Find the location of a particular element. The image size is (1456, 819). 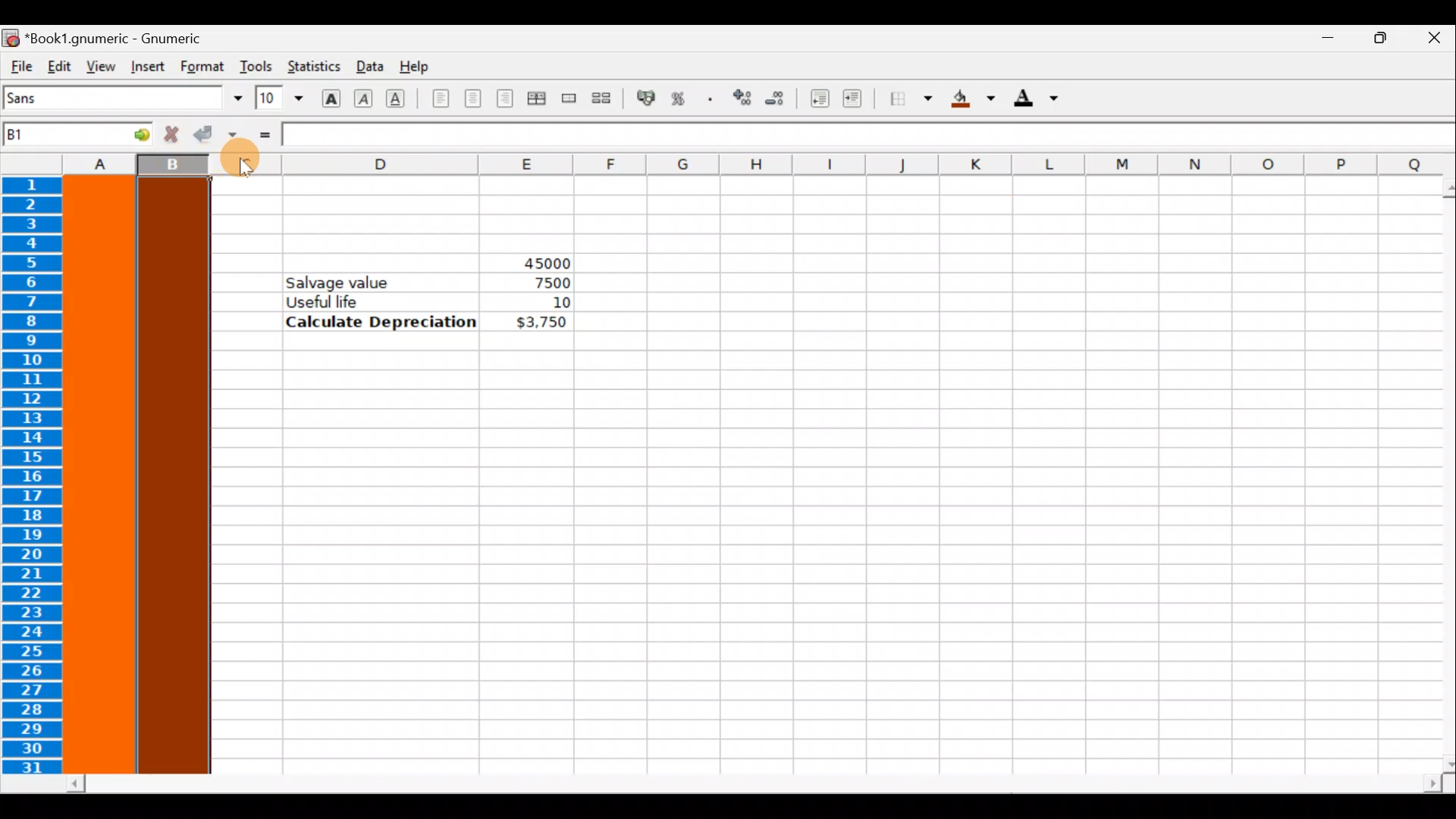

Include thousands separator is located at coordinates (711, 99).